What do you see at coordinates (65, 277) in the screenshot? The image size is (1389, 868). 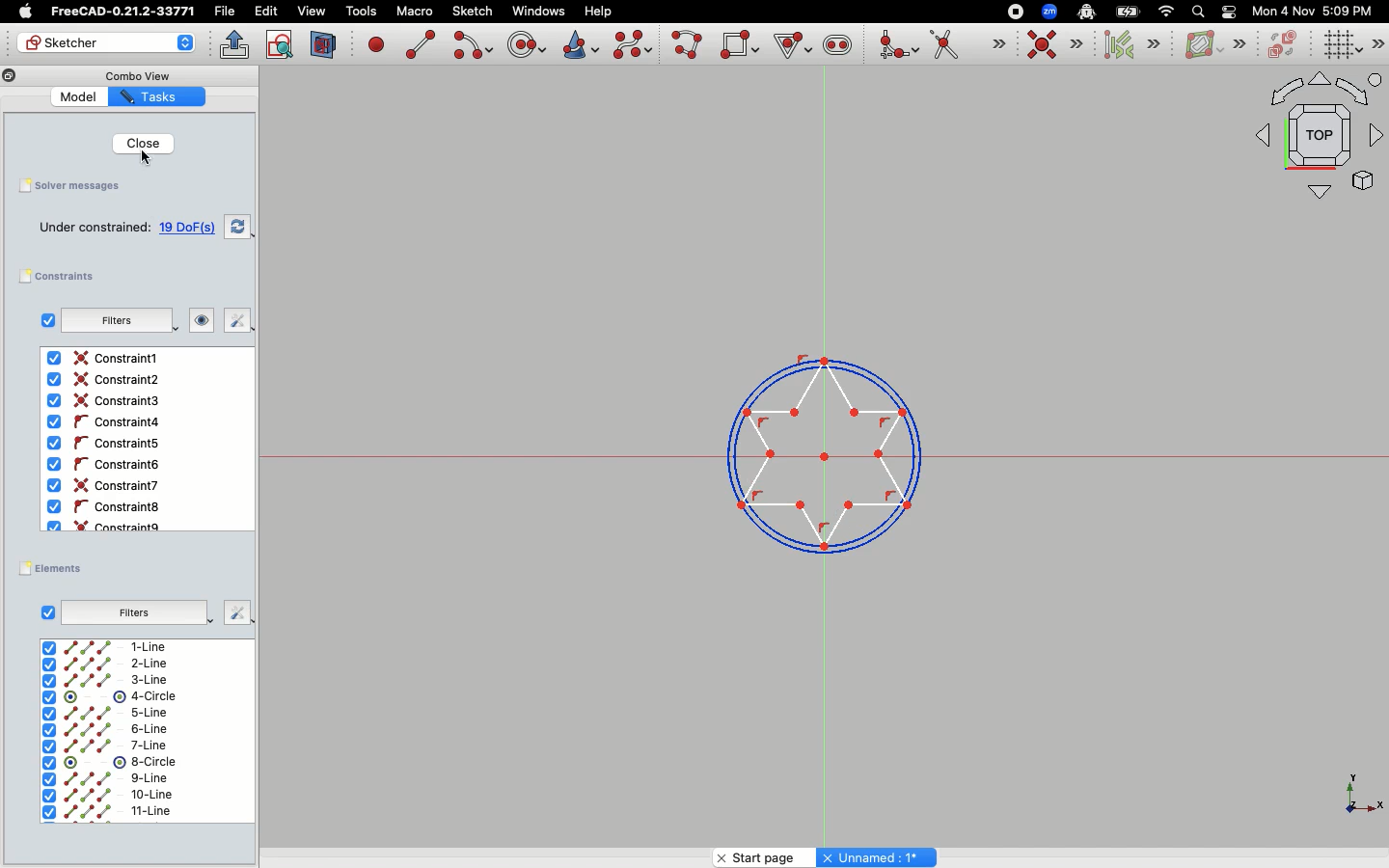 I see `Constraints` at bounding box center [65, 277].